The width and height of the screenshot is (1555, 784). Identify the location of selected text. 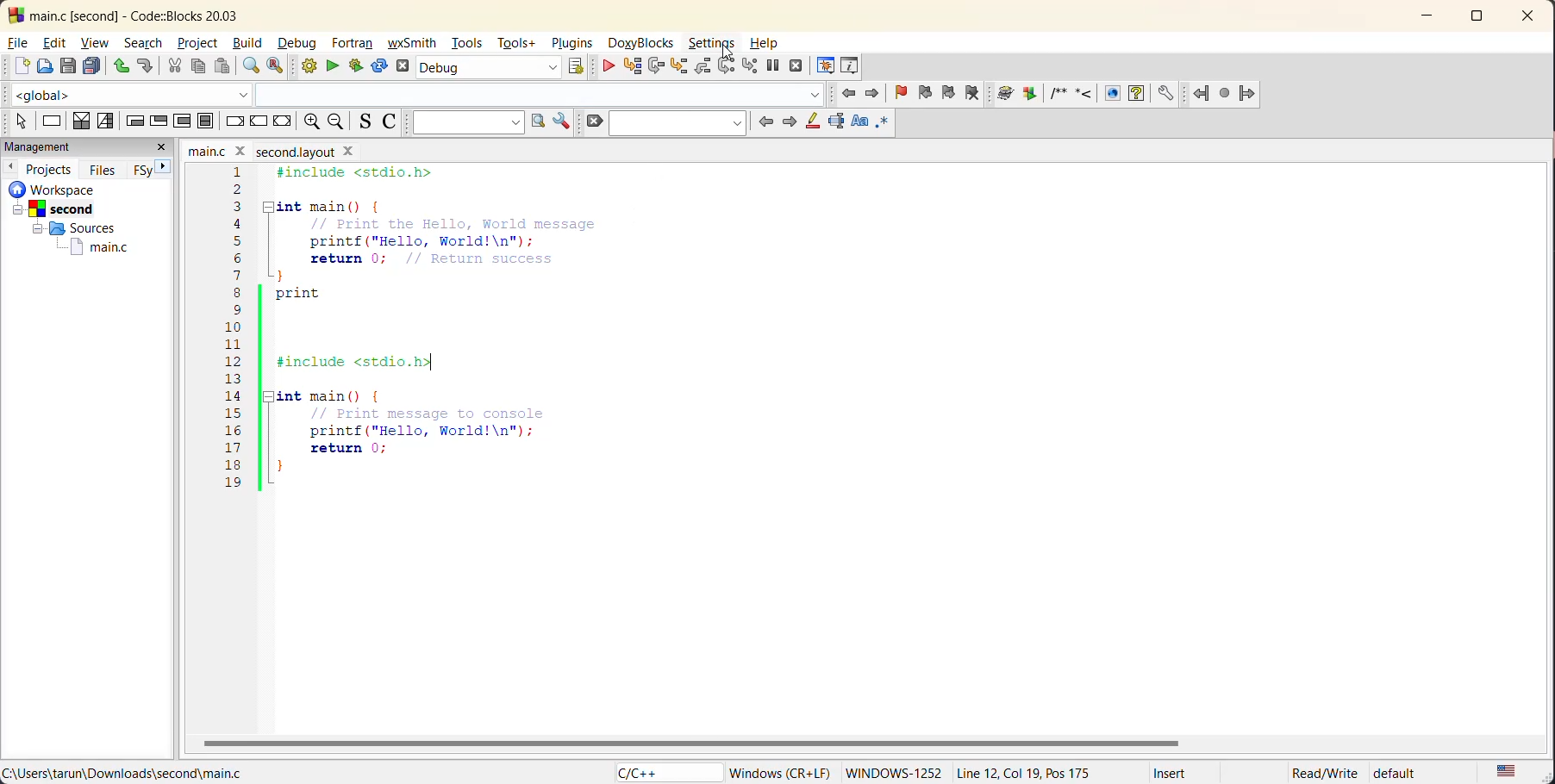
(834, 121).